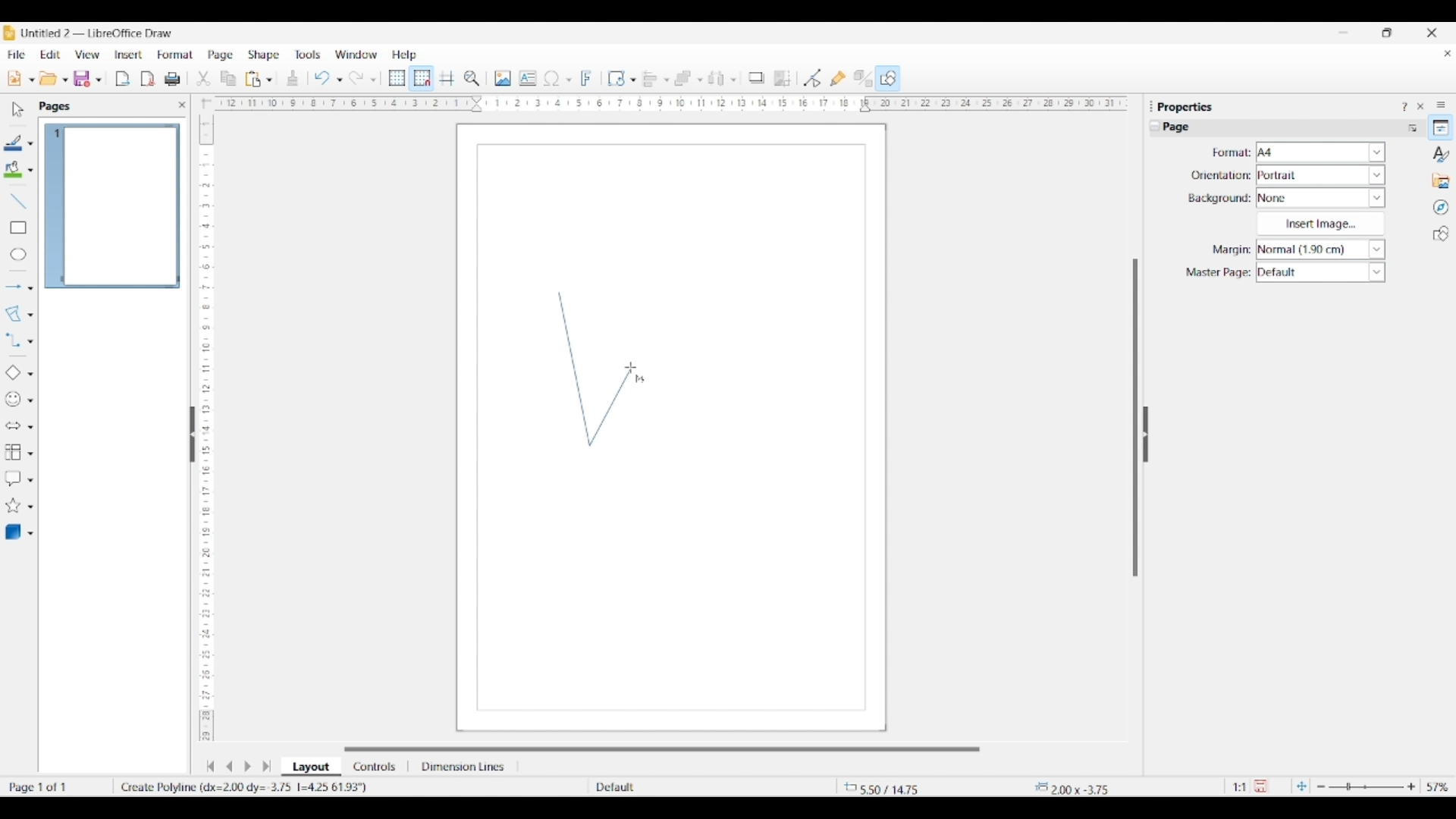 The width and height of the screenshot is (1456, 819). I want to click on Current page w.r.t. total number of pages, so click(56, 786).